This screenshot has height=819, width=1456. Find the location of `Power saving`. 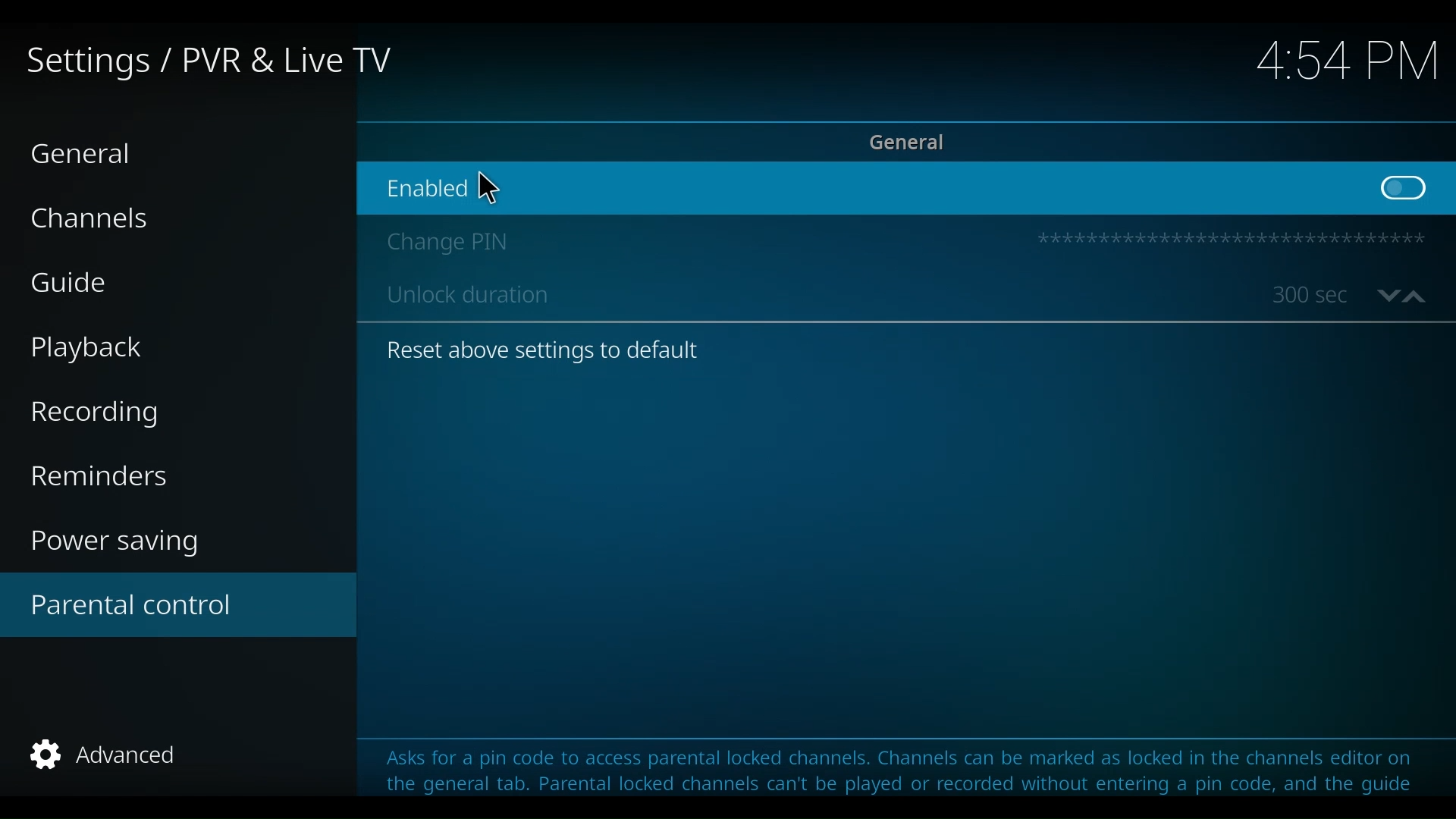

Power saving is located at coordinates (115, 541).